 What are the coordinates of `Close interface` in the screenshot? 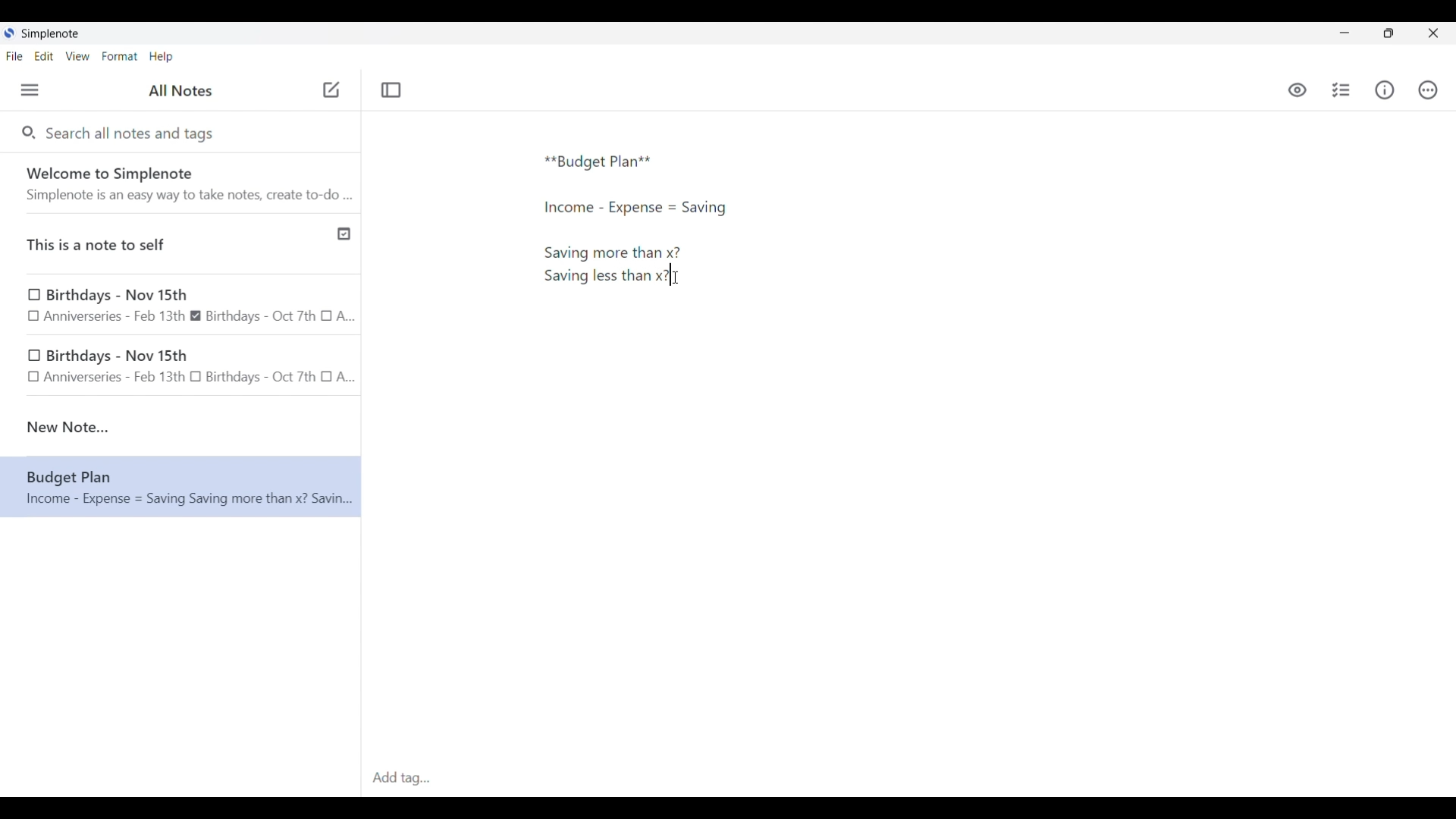 It's located at (1433, 33).